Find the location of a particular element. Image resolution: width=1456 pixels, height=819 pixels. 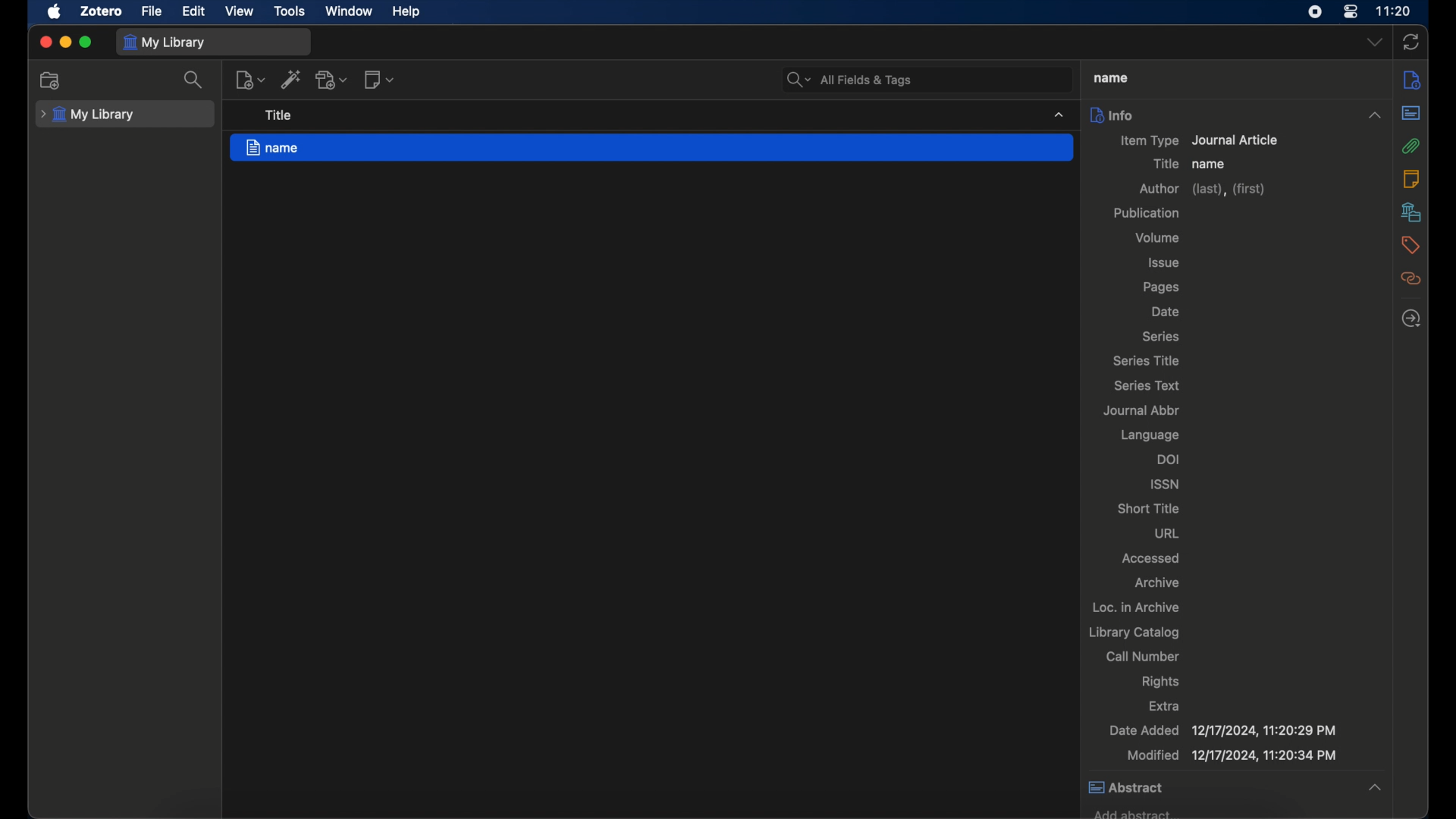

control center is located at coordinates (1351, 12).